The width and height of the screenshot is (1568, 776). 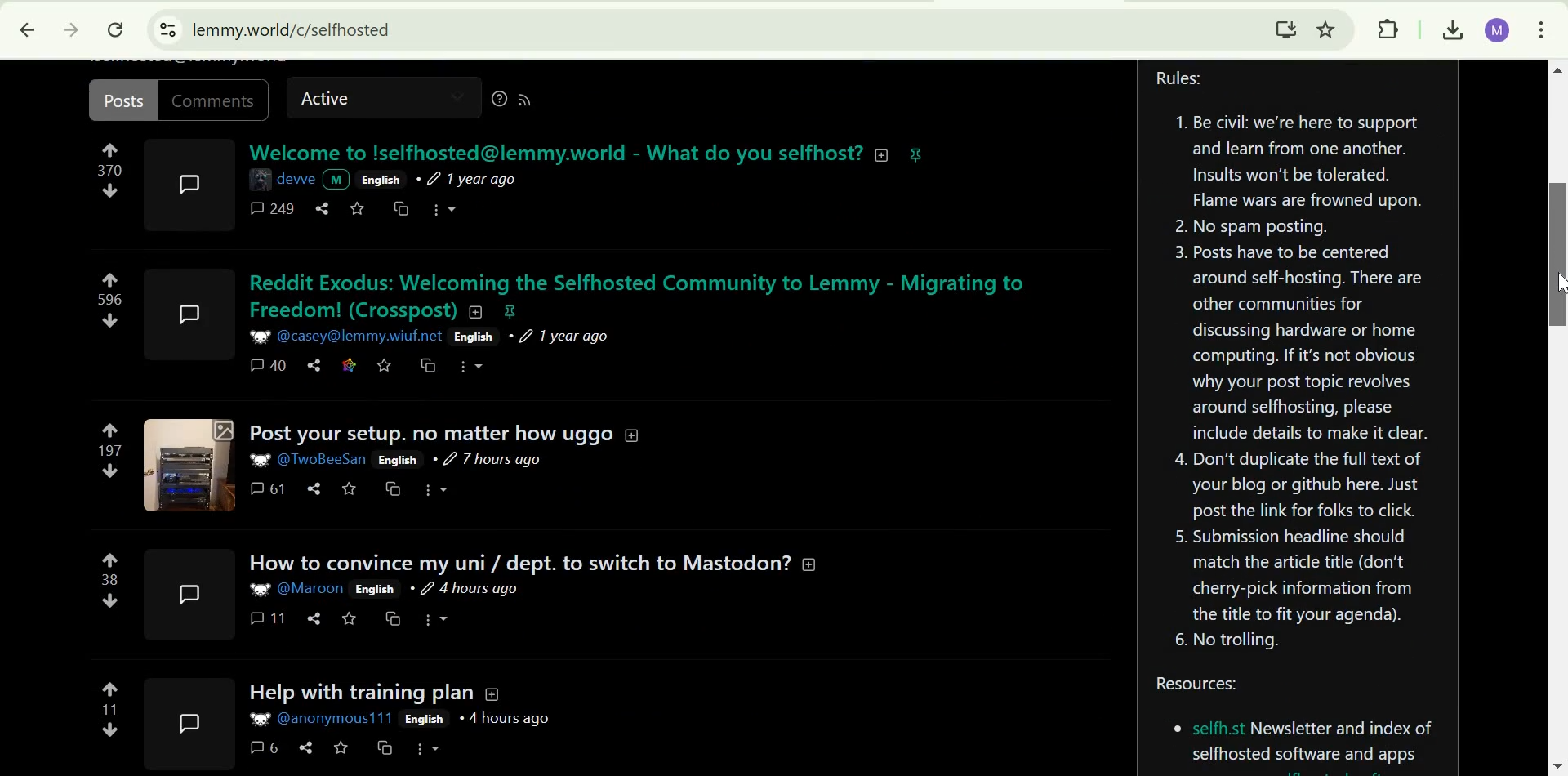 I want to click on 6 comments, so click(x=262, y=747).